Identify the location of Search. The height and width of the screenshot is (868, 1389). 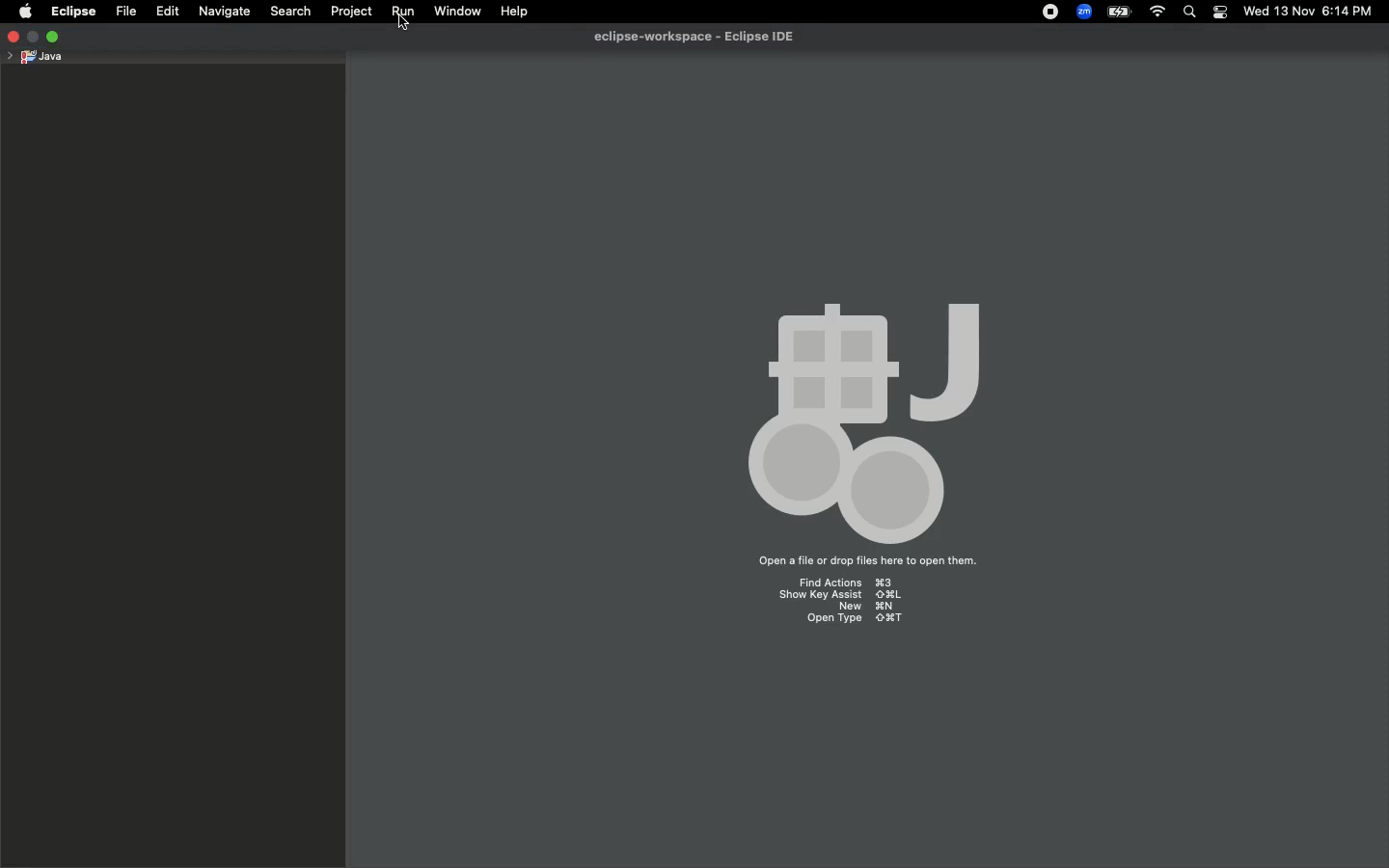
(287, 13).